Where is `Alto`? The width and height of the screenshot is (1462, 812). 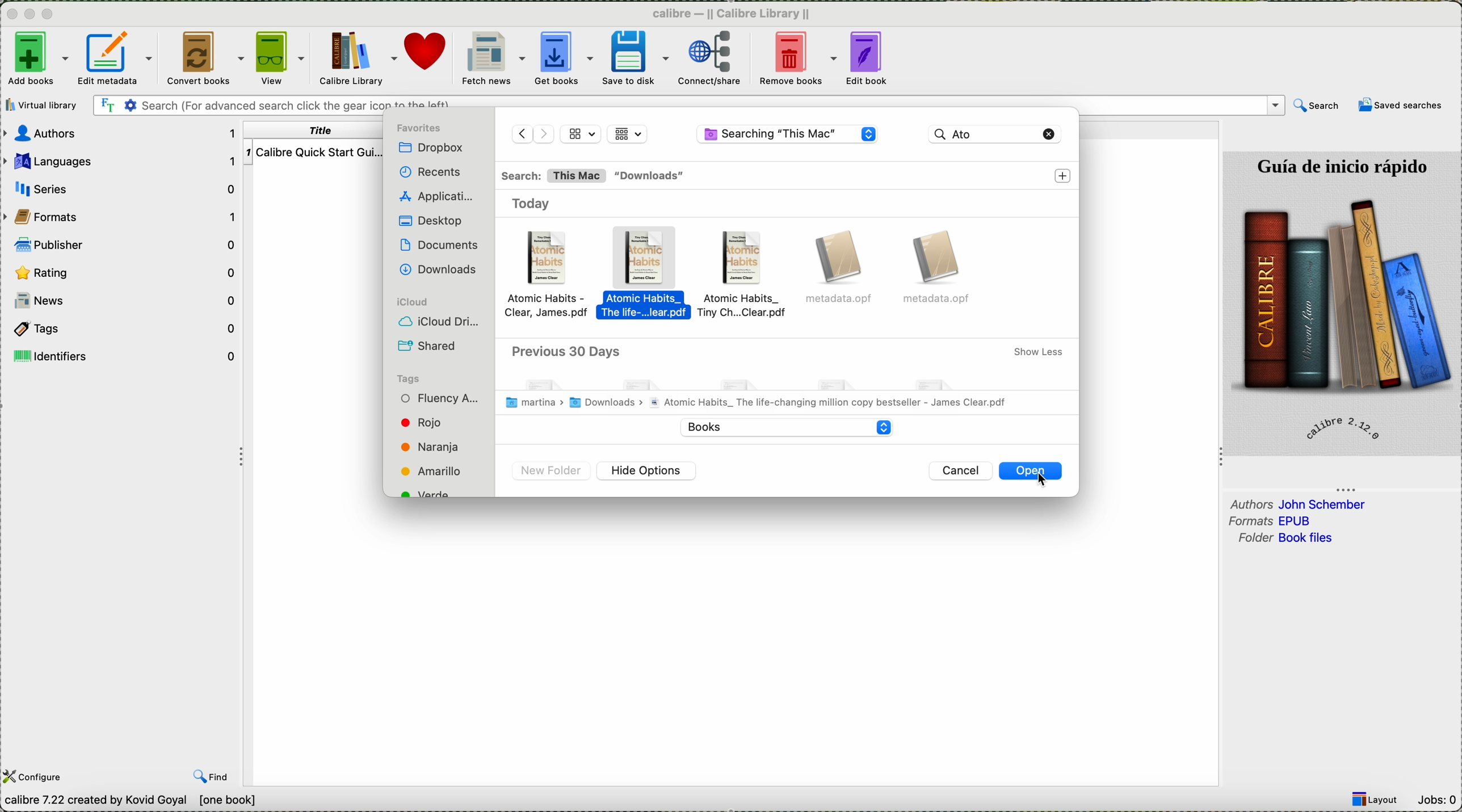
Alto is located at coordinates (981, 133).